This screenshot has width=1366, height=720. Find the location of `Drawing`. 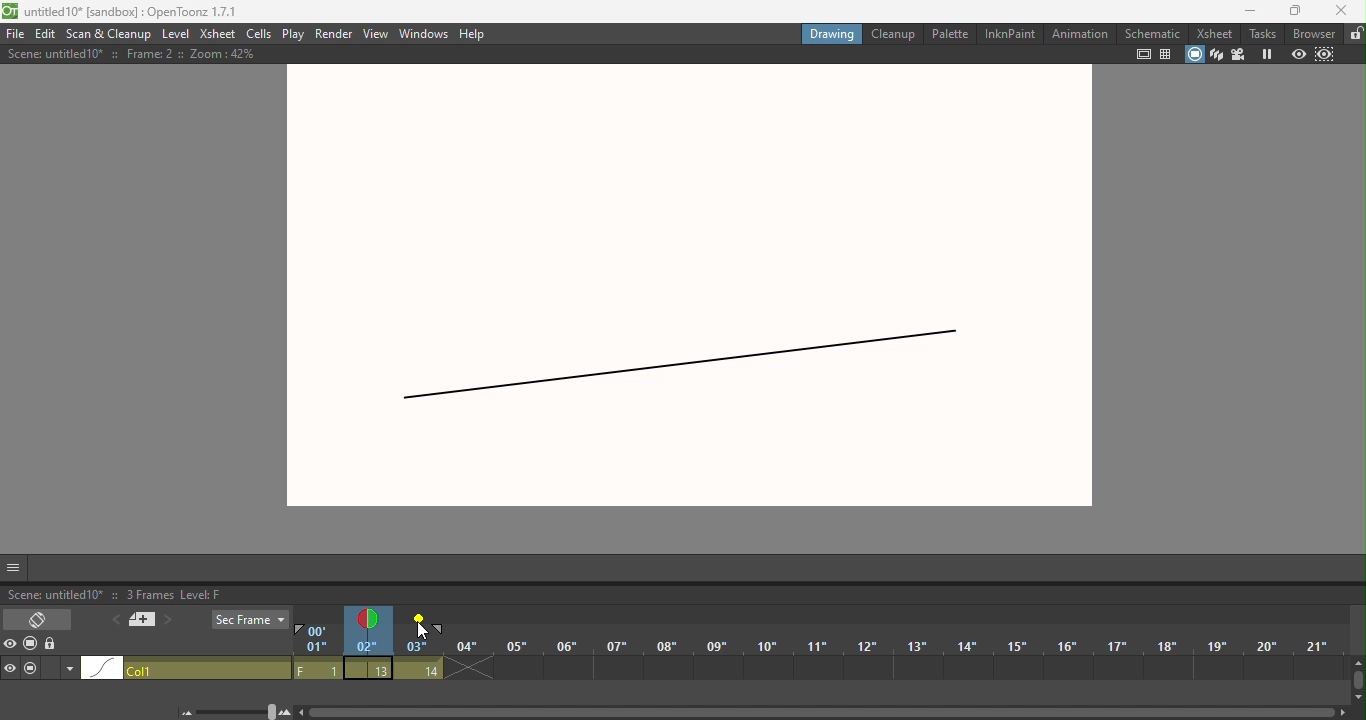

Drawing is located at coordinates (831, 33).